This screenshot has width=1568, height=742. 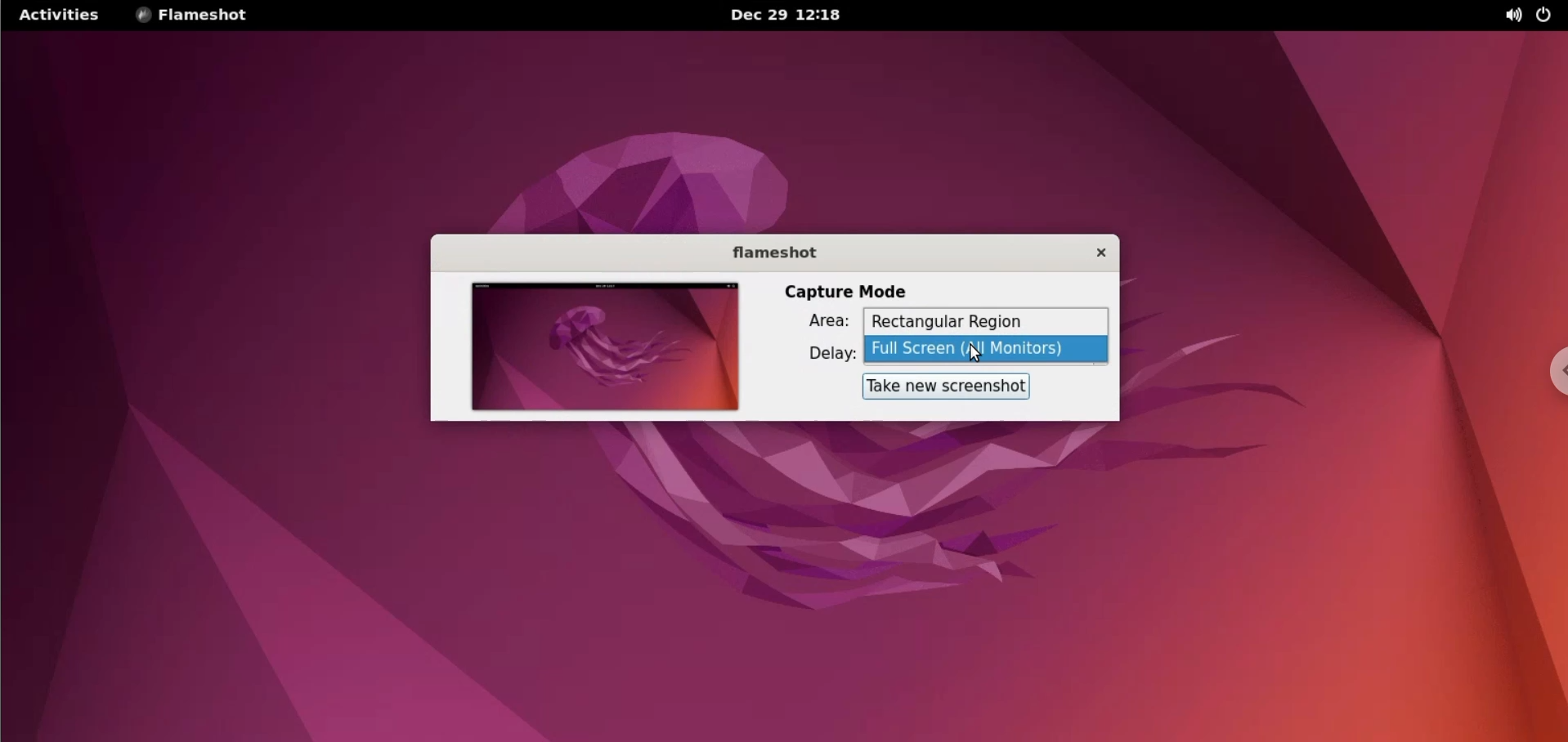 I want to click on full screen, so click(x=988, y=352).